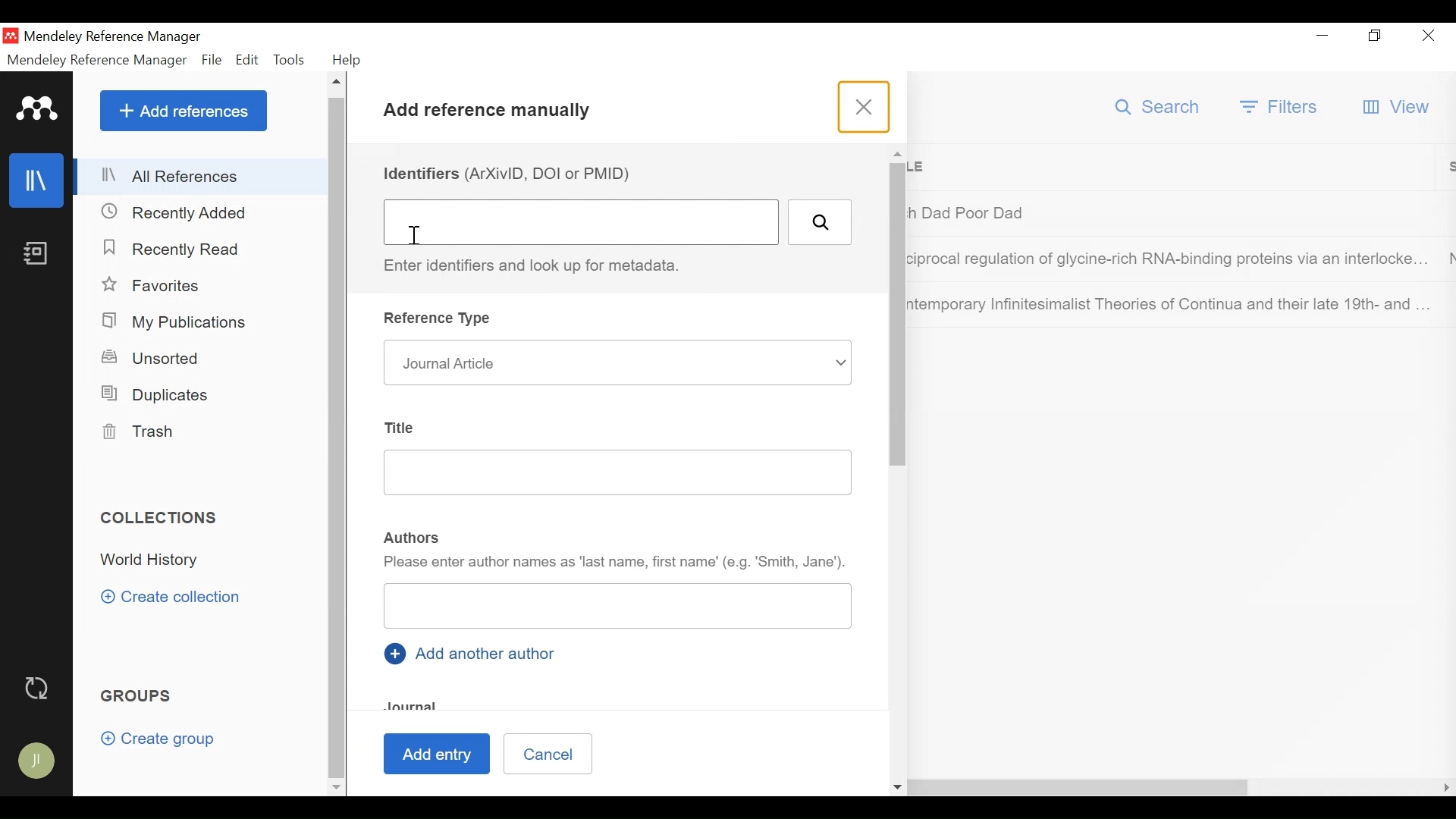 The image size is (1456, 819). I want to click on Mendeley Reference Manager, so click(98, 60).